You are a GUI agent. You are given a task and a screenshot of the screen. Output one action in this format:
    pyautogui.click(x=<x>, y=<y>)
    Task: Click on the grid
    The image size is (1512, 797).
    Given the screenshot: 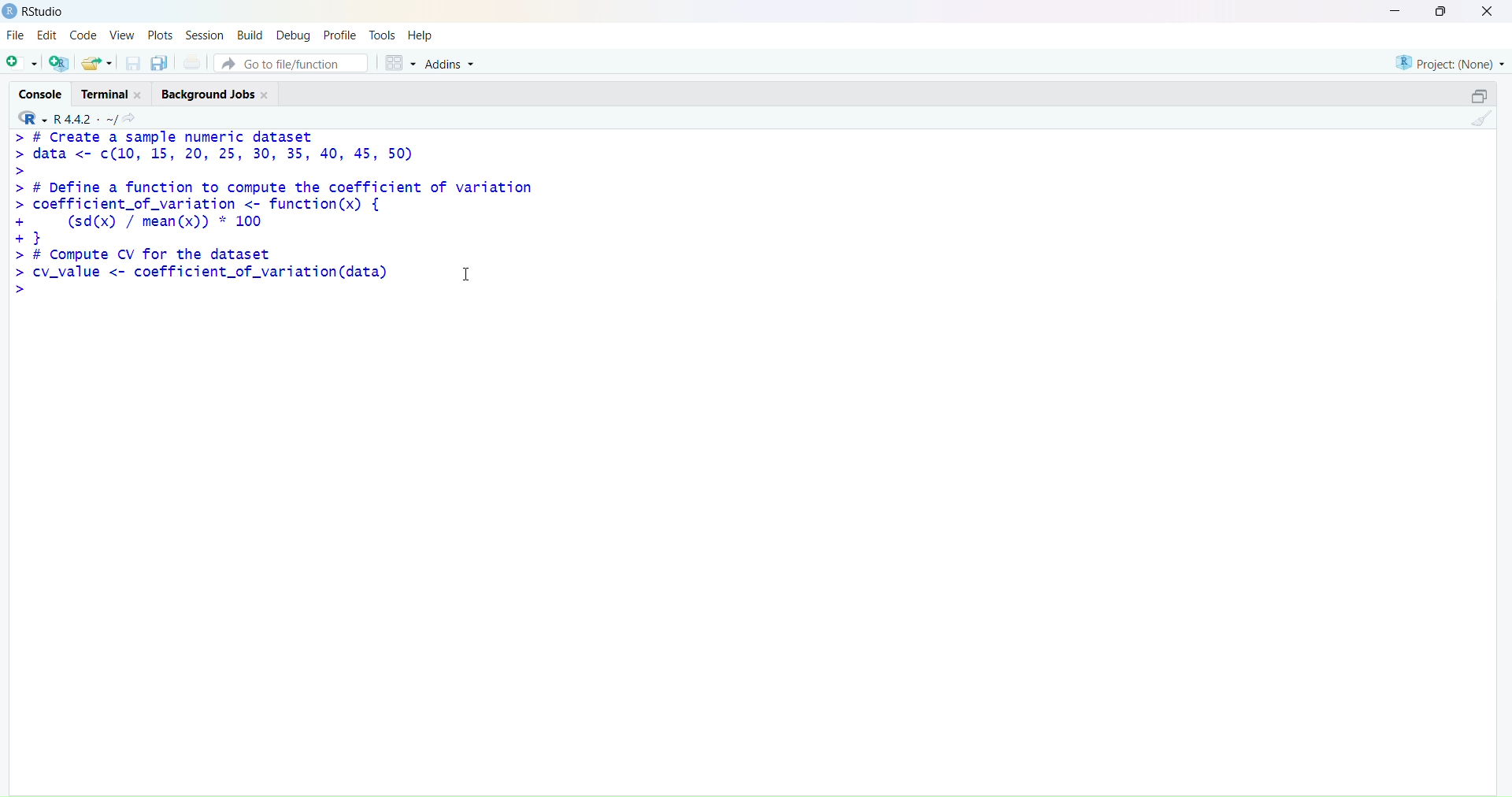 What is the action you would take?
    pyautogui.click(x=402, y=63)
    